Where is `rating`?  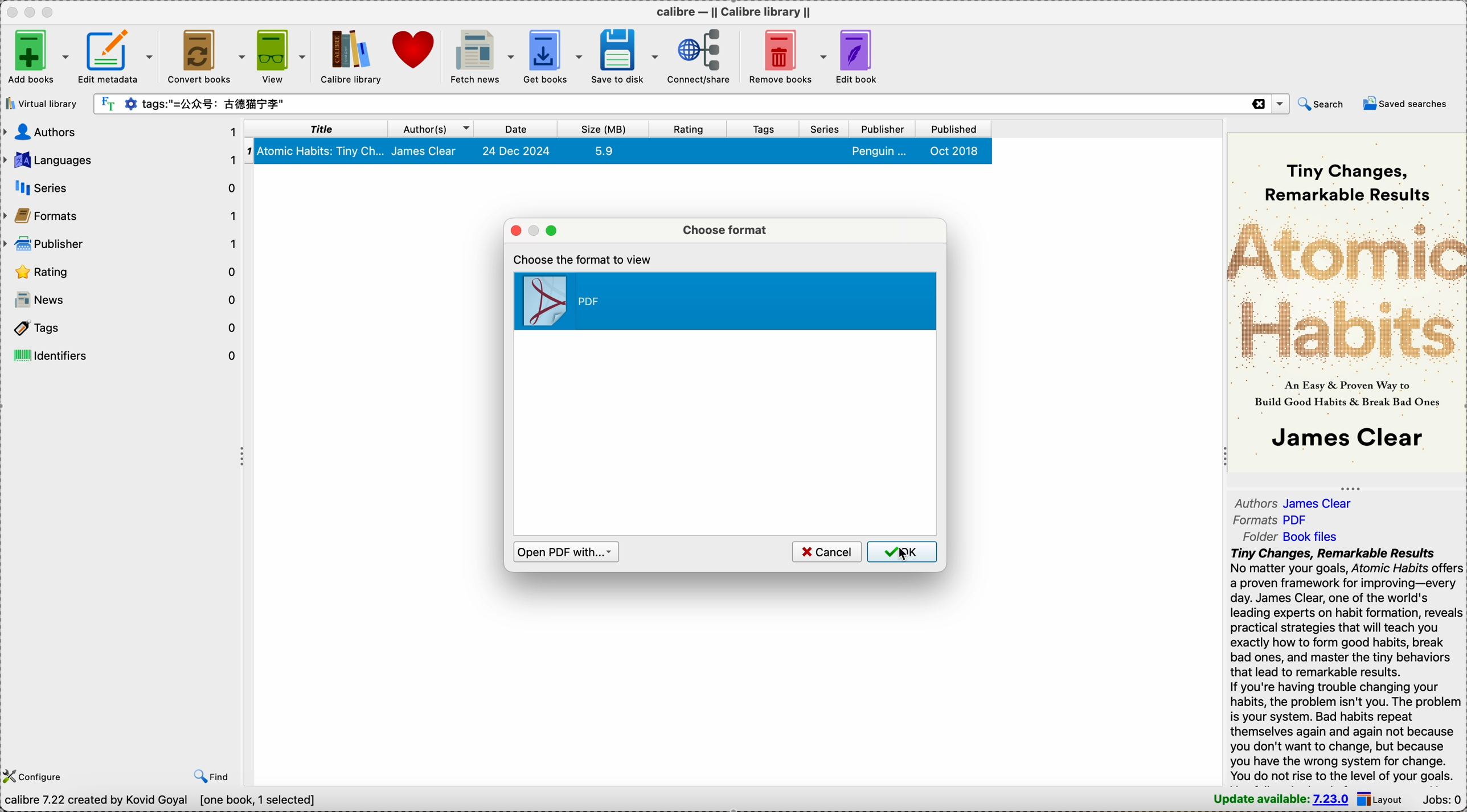
rating is located at coordinates (122, 270).